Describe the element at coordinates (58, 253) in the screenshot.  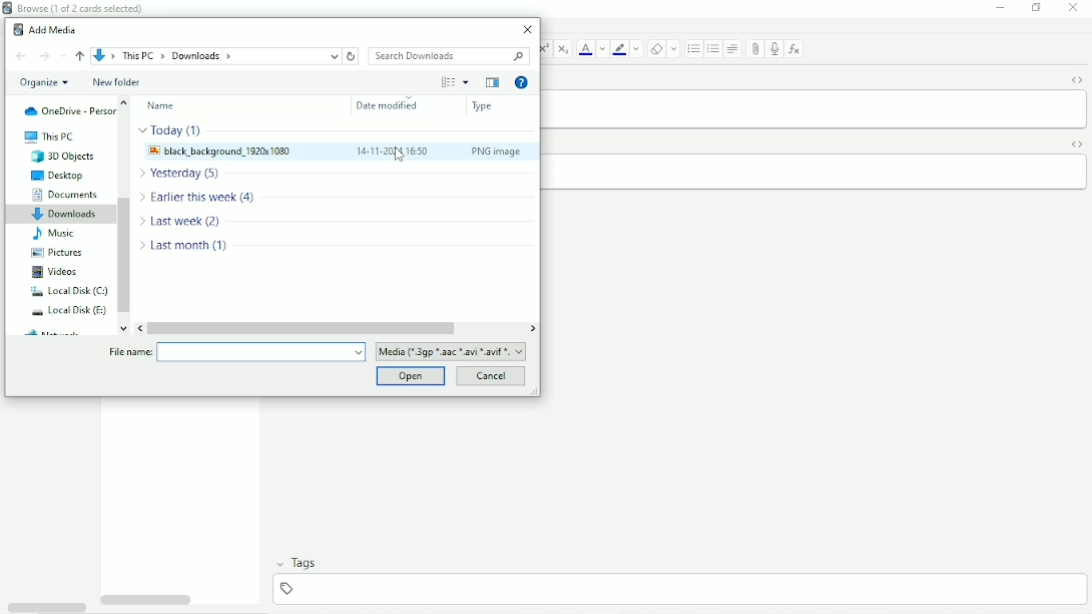
I see `Pictures` at that location.